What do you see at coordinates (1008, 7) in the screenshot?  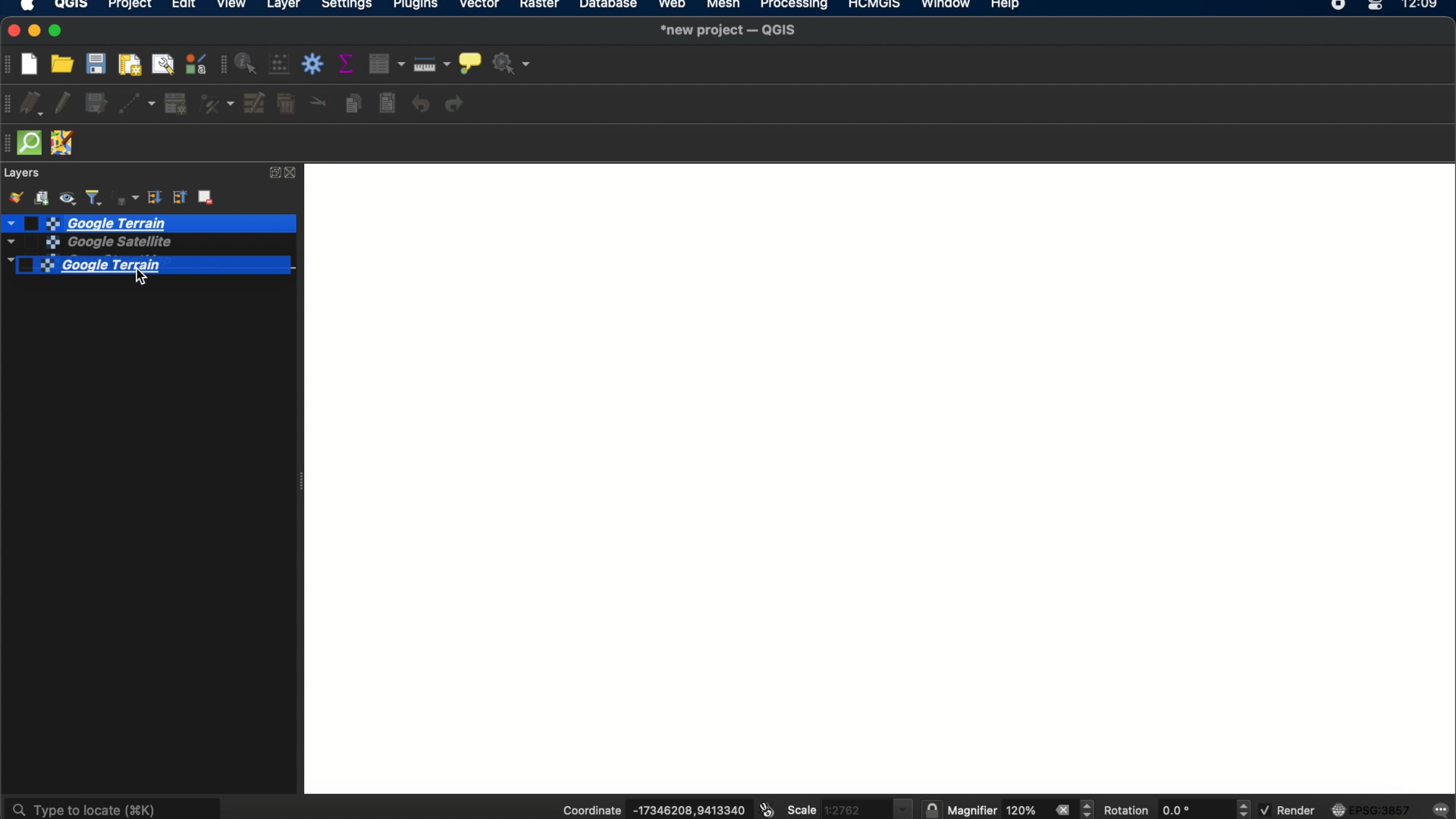 I see `help` at bounding box center [1008, 7].